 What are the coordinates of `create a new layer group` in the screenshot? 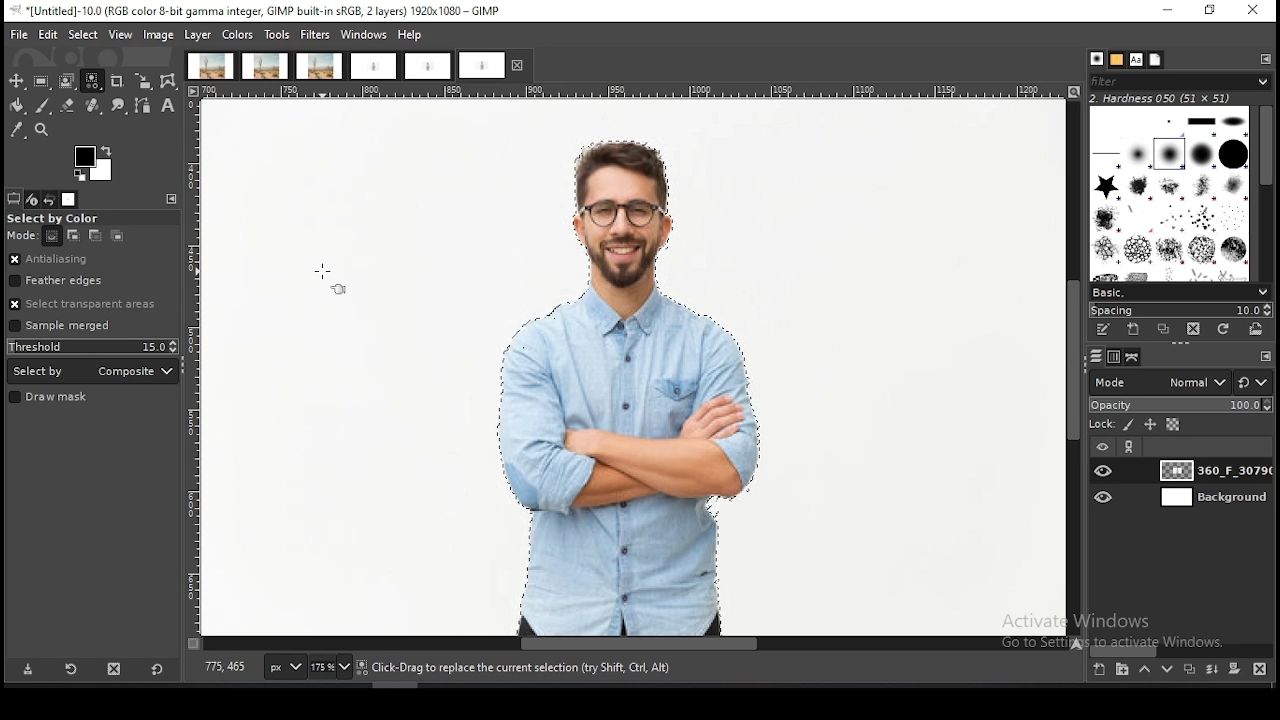 It's located at (1121, 668).